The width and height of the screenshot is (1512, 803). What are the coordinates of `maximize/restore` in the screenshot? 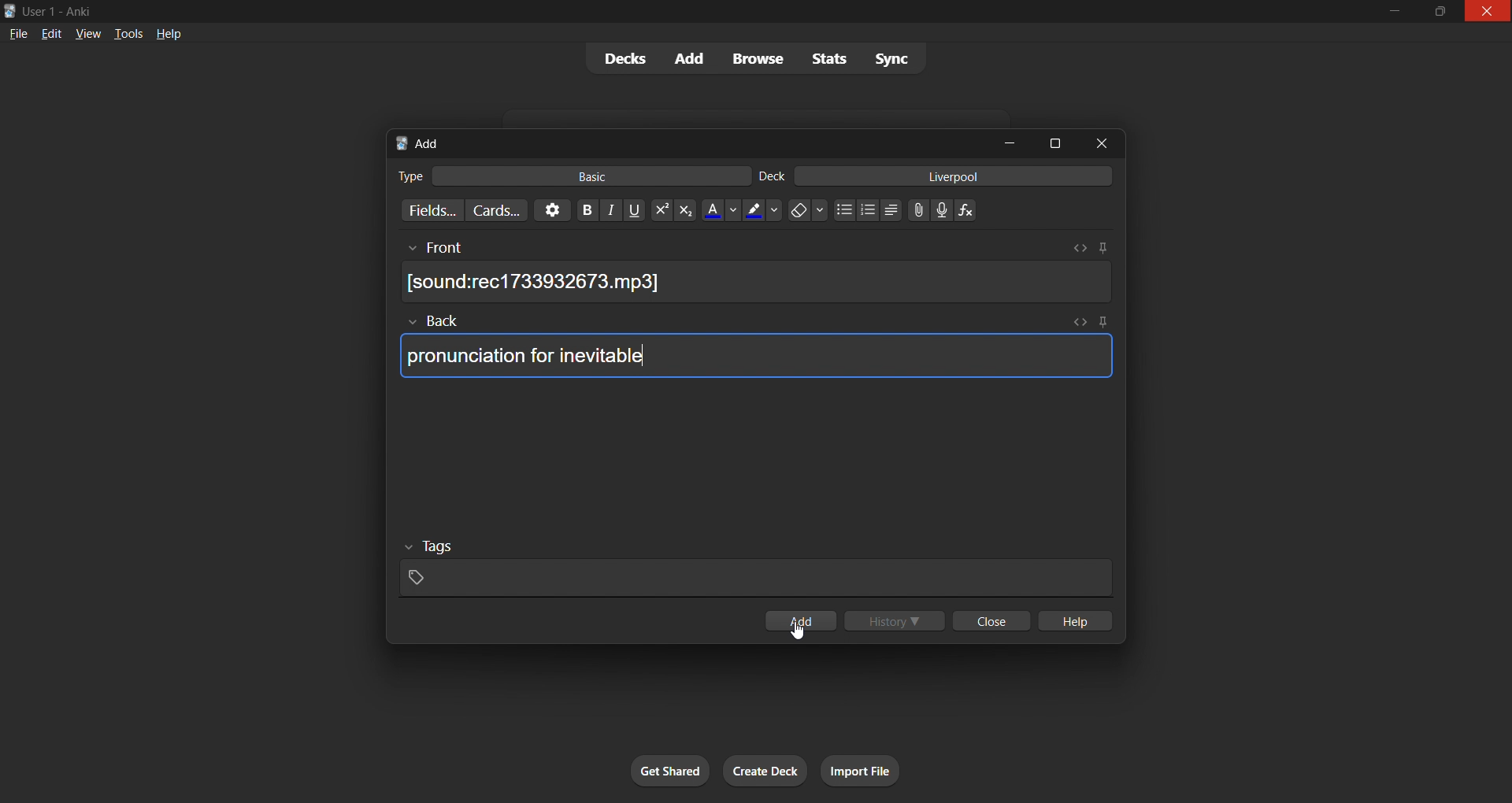 It's located at (1436, 12).